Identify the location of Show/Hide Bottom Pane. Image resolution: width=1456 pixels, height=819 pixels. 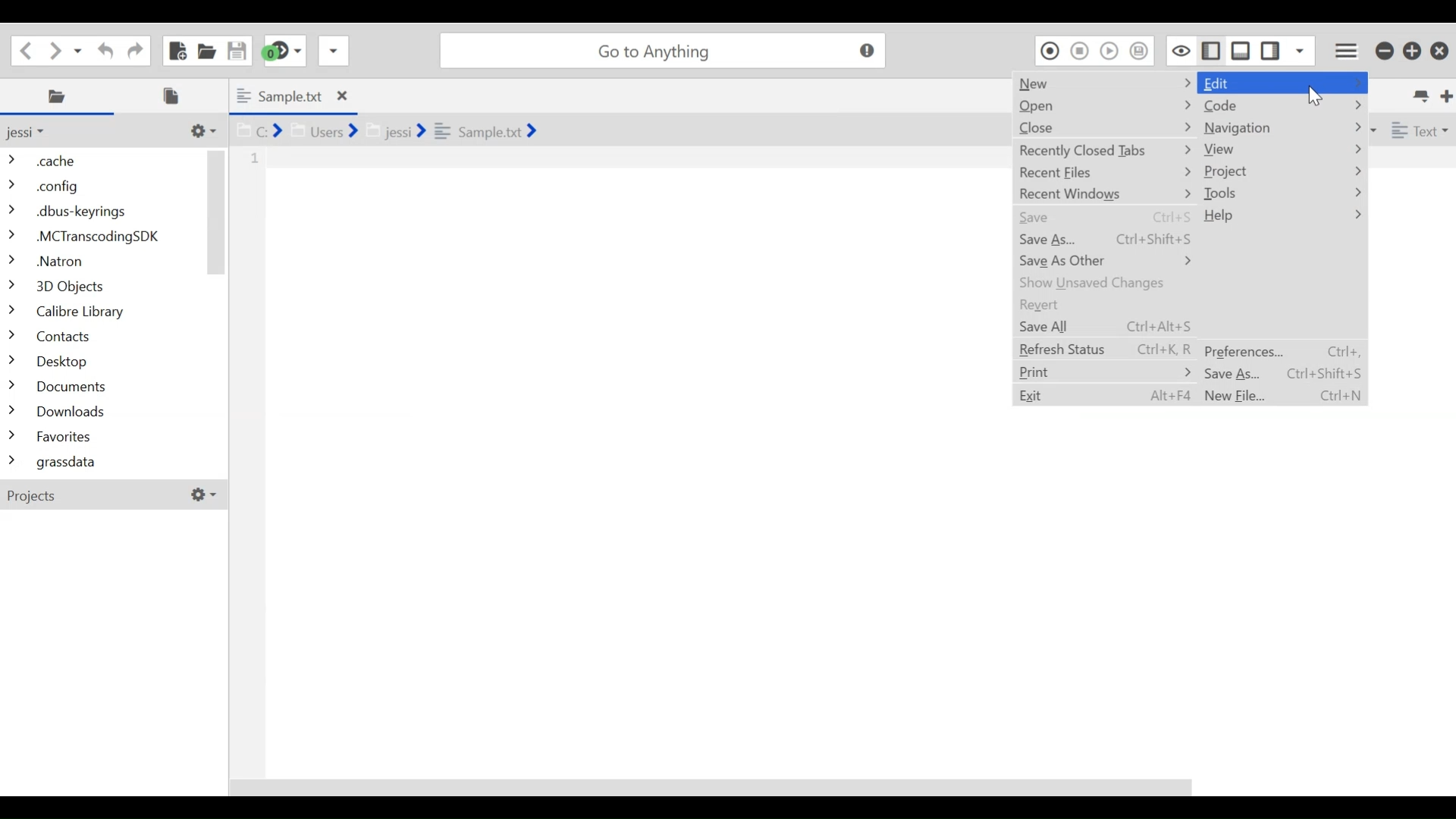
(1241, 50).